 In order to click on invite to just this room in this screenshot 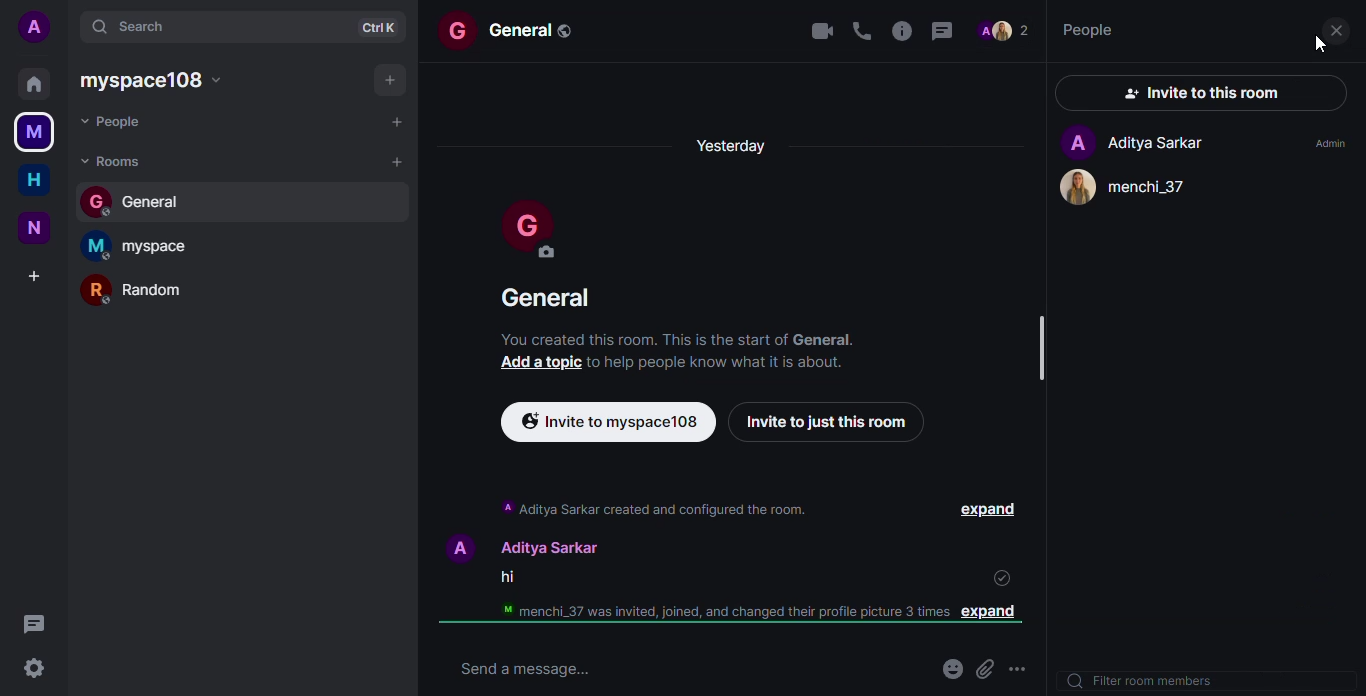, I will do `click(830, 422)`.